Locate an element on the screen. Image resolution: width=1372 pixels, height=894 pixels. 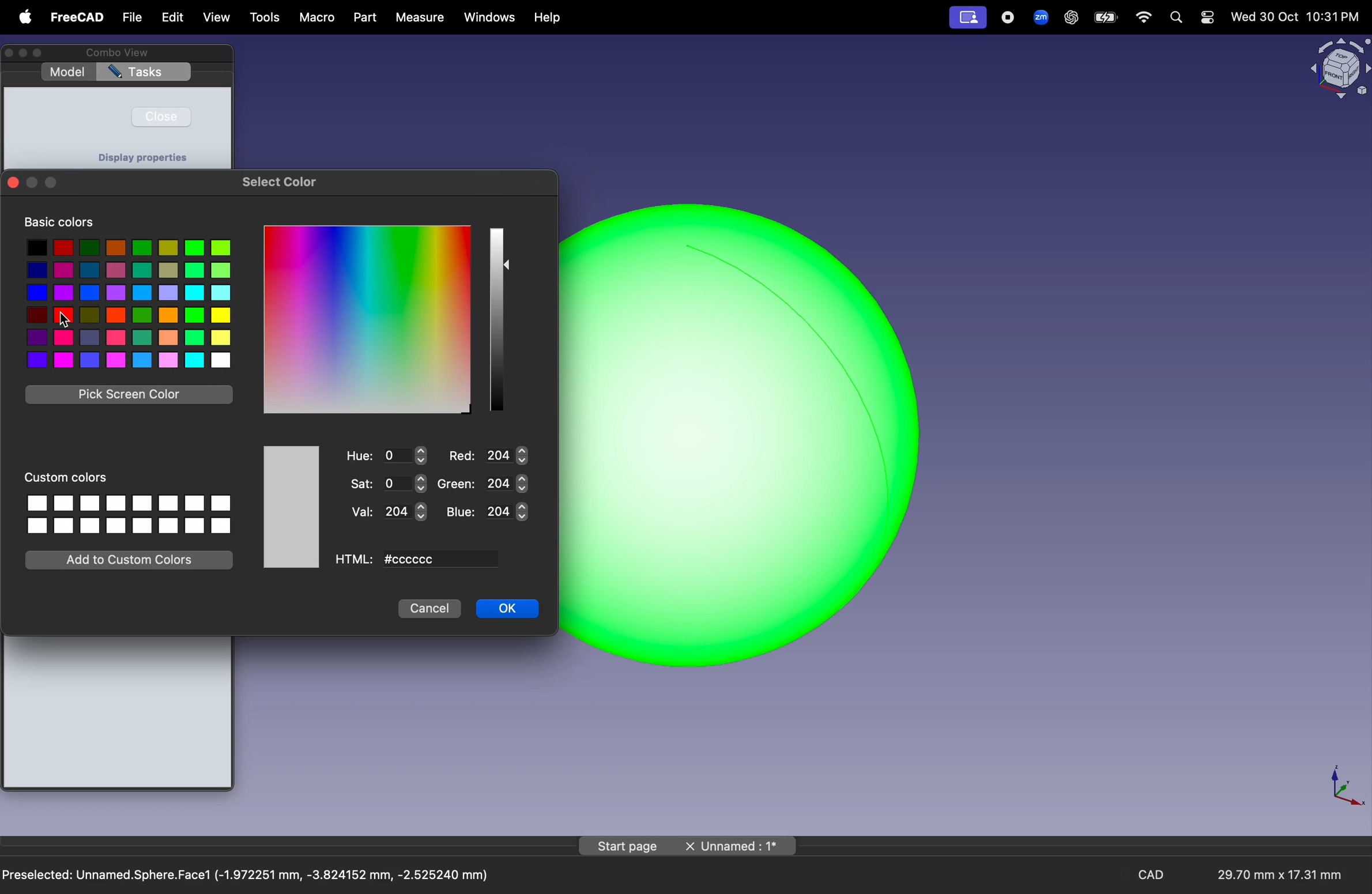
shade is located at coordinates (496, 319).